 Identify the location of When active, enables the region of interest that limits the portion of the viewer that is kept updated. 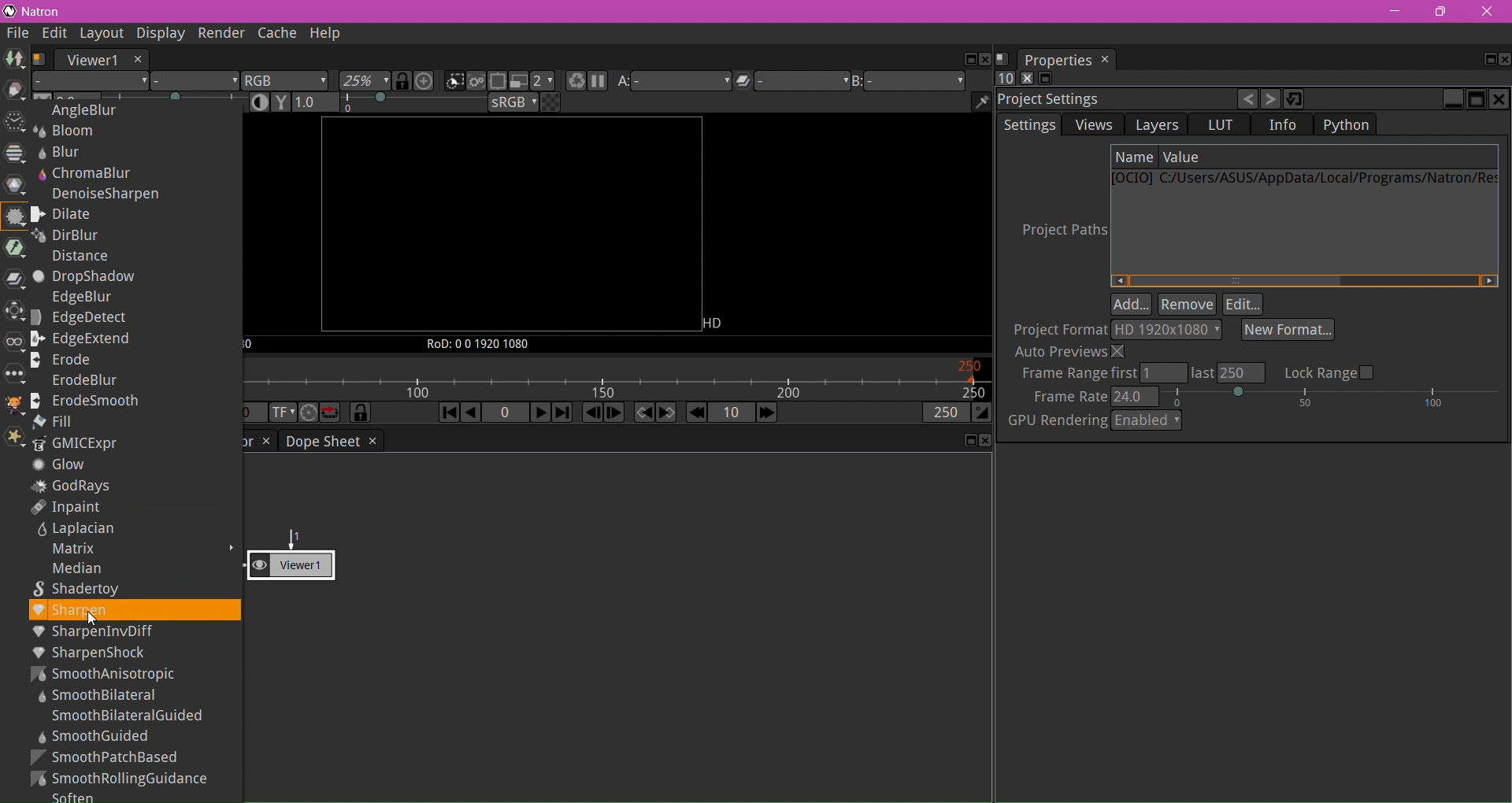
(498, 83).